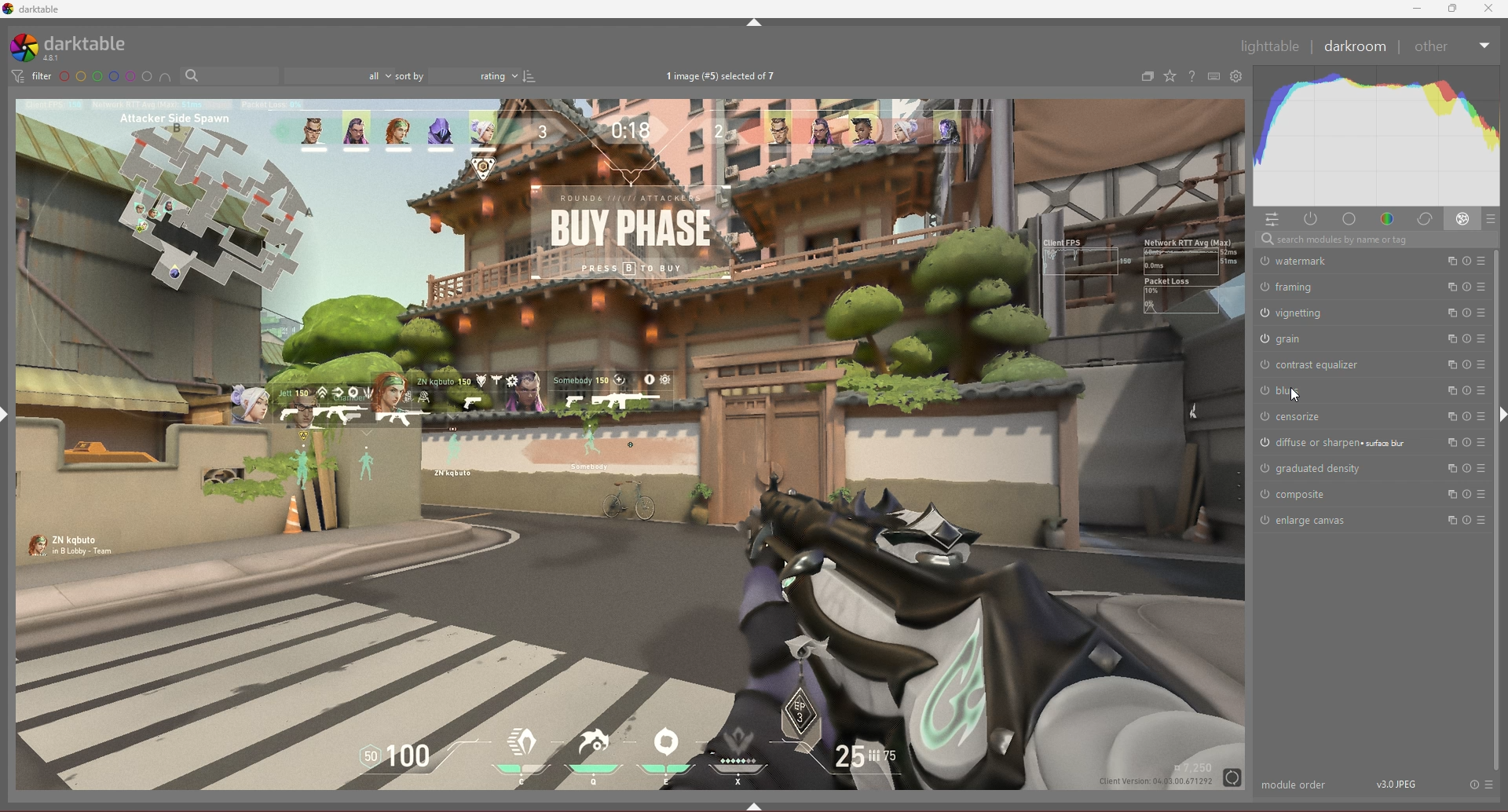 The height and width of the screenshot is (812, 1508). What do you see at coordinates (530, 75) in the screenshot?
I see `reverse sort order` at bounding box center [530, 75].